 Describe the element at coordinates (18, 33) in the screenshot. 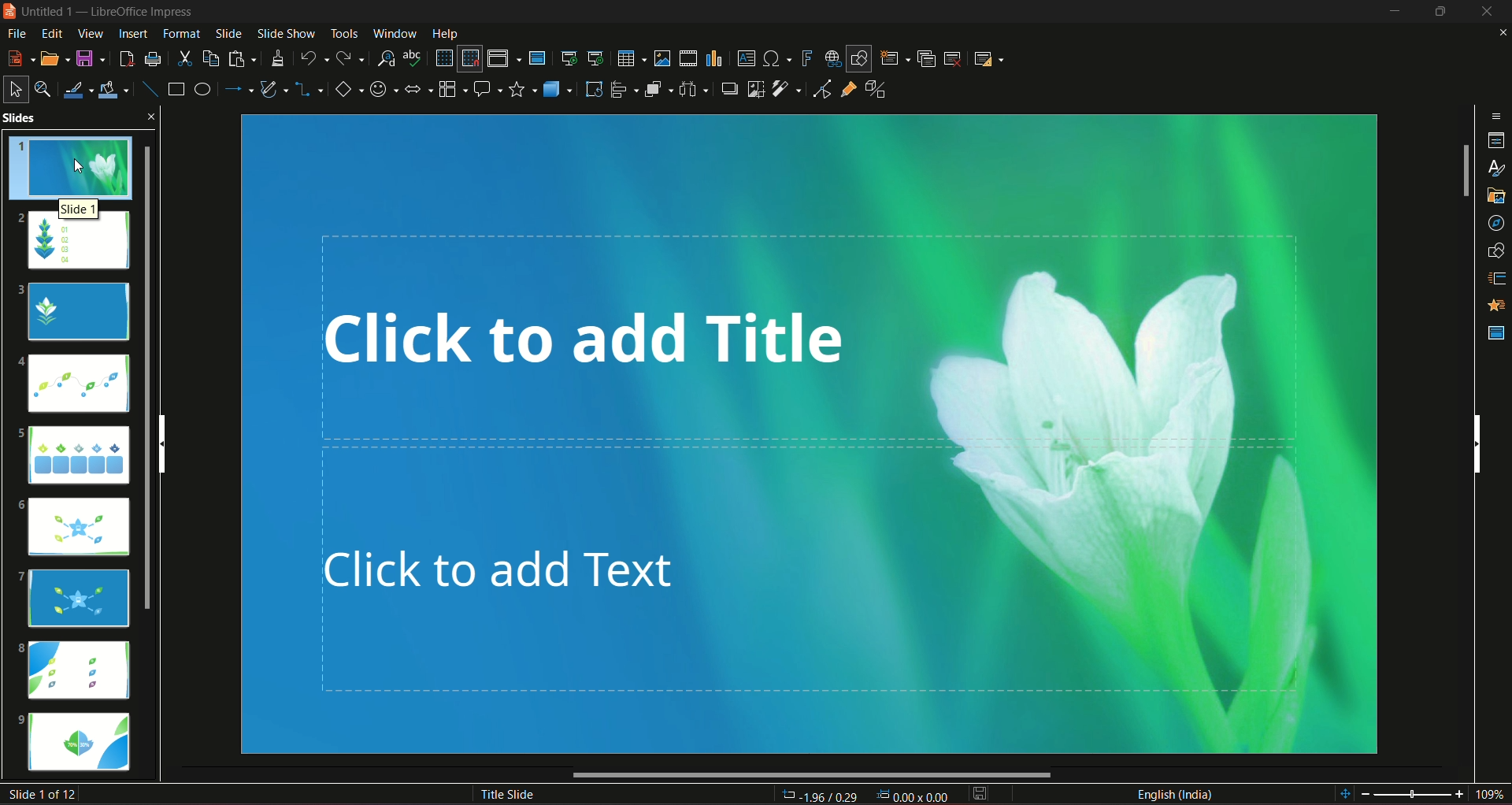

I see `file` at that location.